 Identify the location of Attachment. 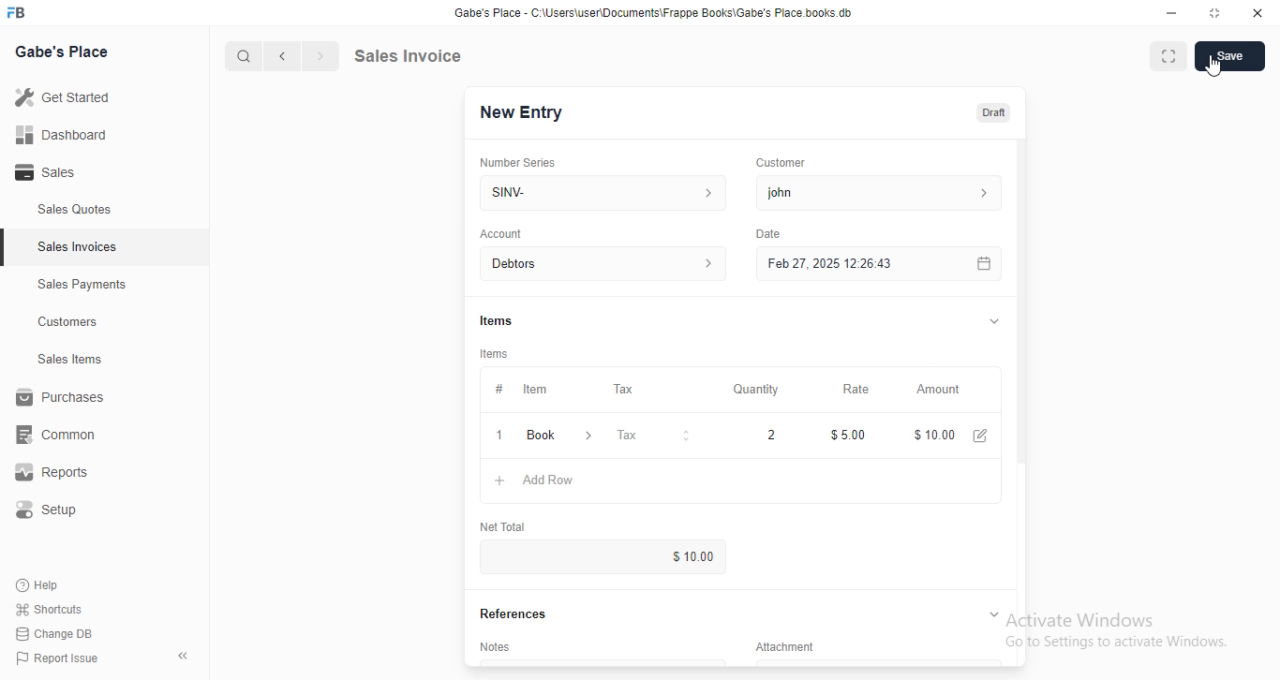
(777, 645).